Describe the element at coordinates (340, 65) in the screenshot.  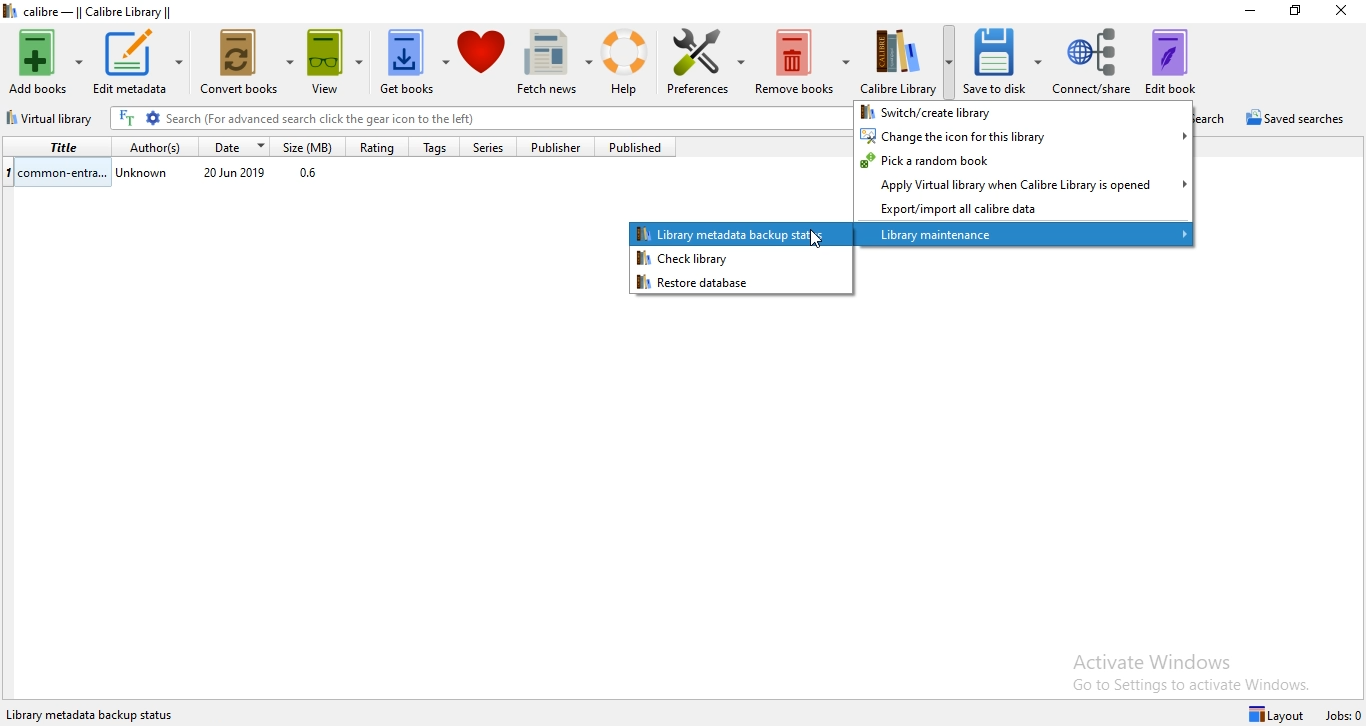
I see `View` at that location.